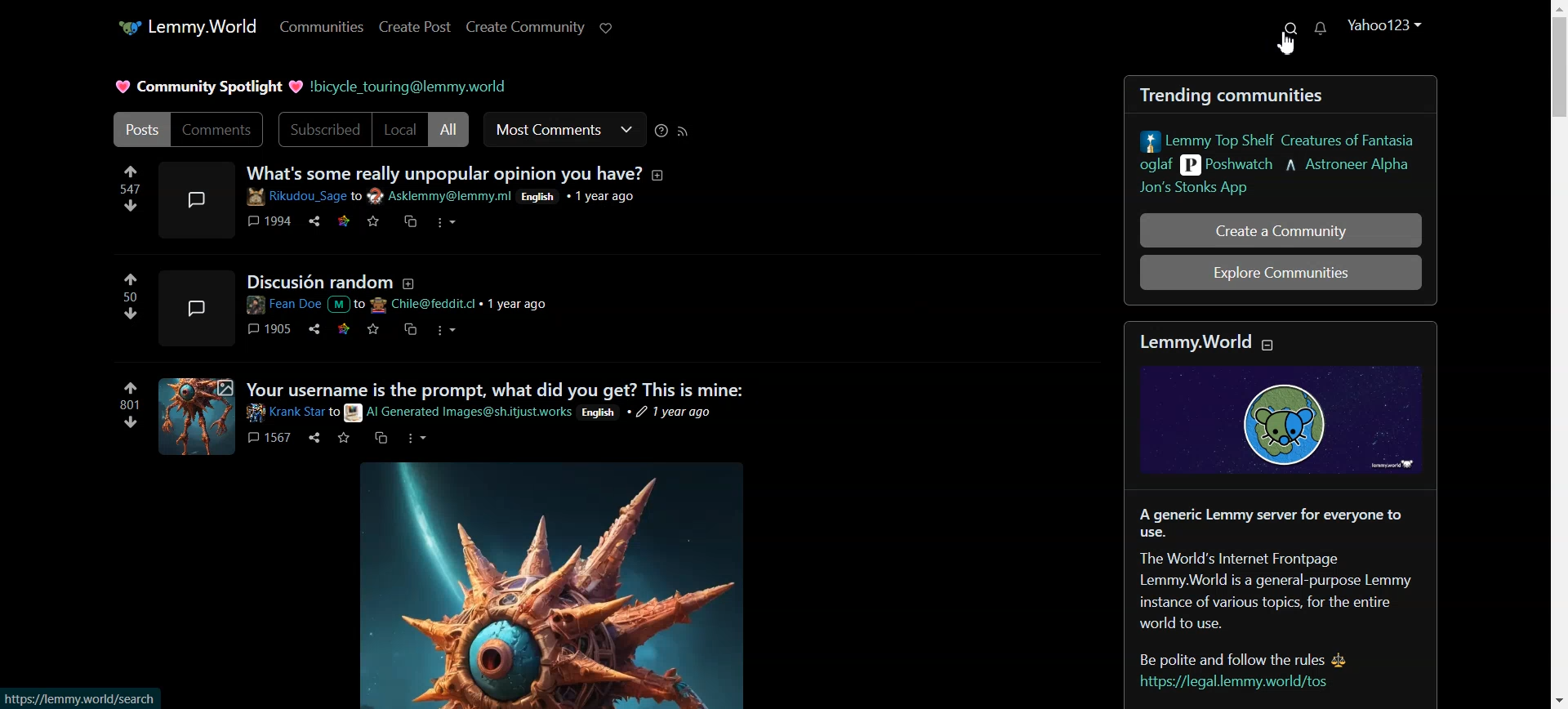 The height and width of the screenshot is (709, 1568). I want to click on Trending communities, so click(1236, 96).